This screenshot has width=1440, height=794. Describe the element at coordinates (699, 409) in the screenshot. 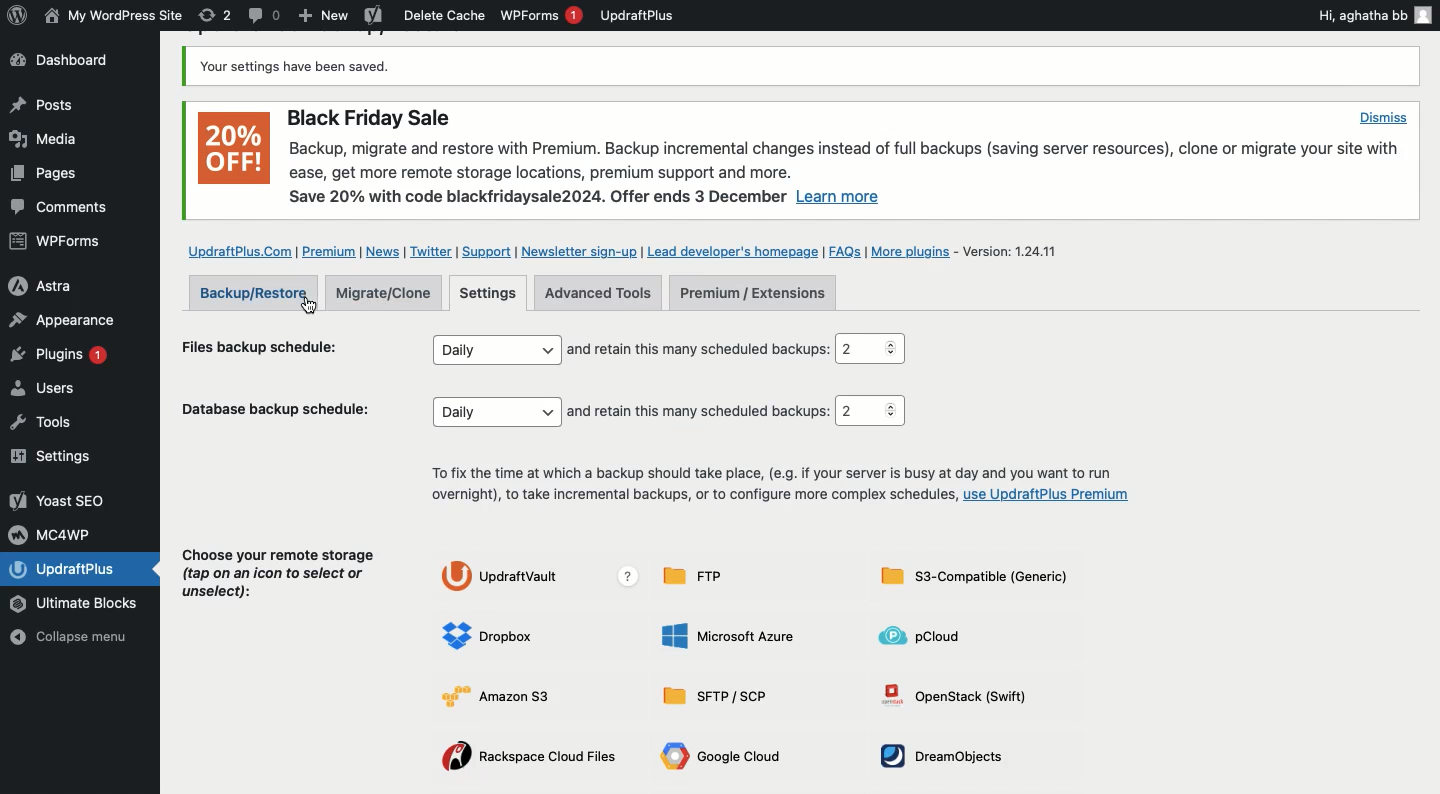

I see `and retain this many scheduled backups:` at that location.